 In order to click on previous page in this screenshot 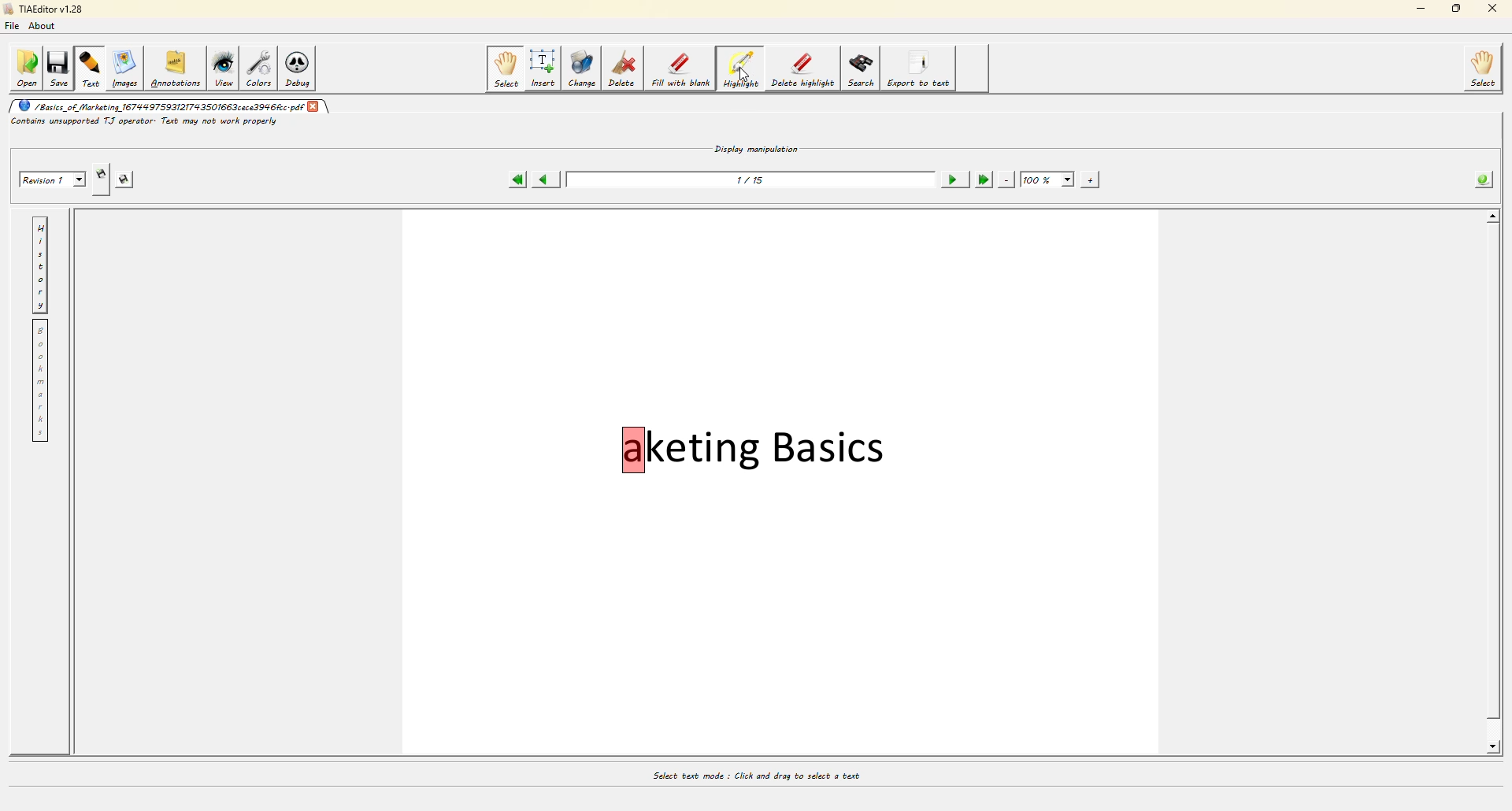, I will do `click(544, 180)`.